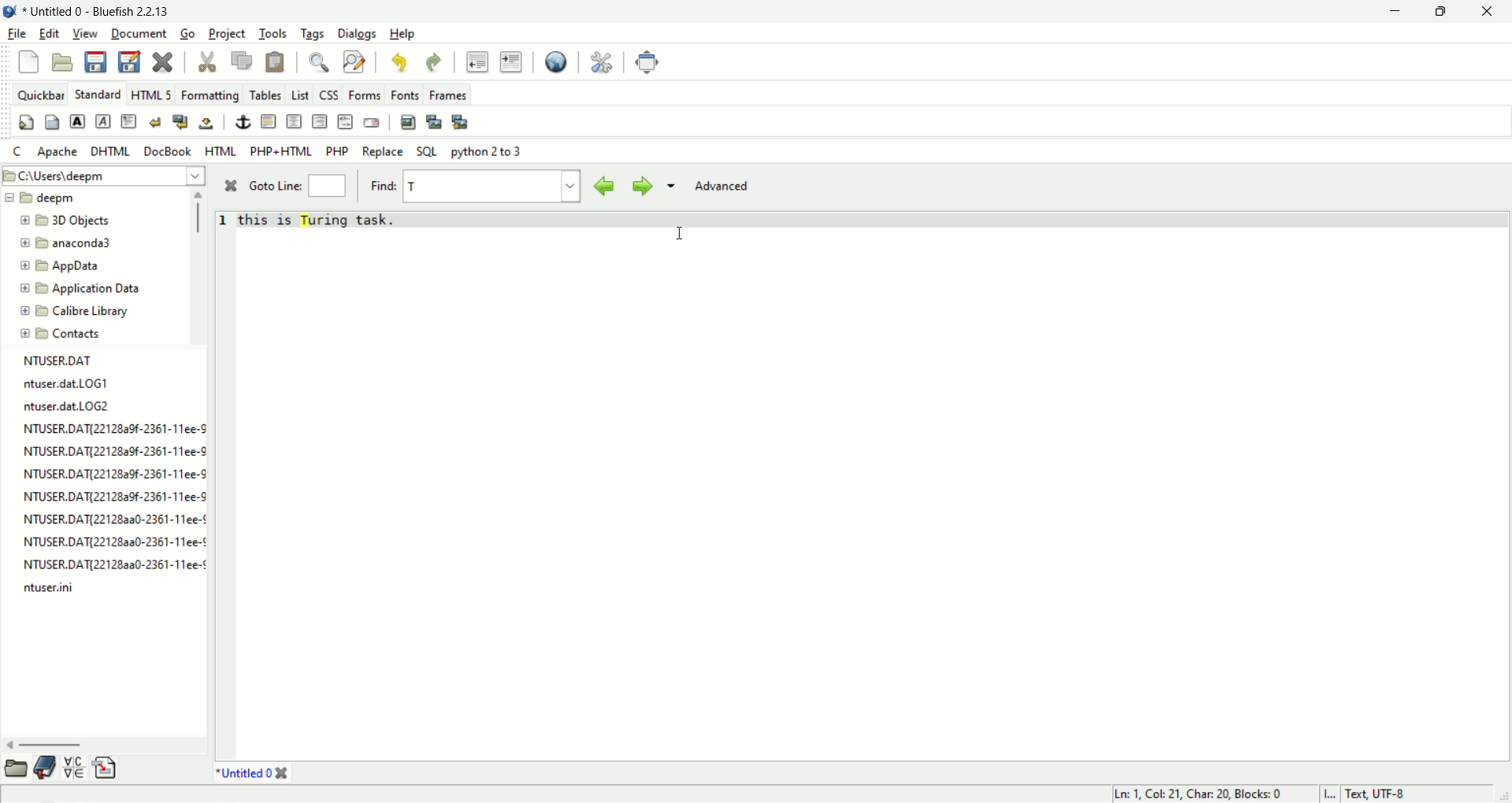  What do you see at coordinates (58, 151) in the screenshot?
I see `apache` at bounding box center [58, 151].